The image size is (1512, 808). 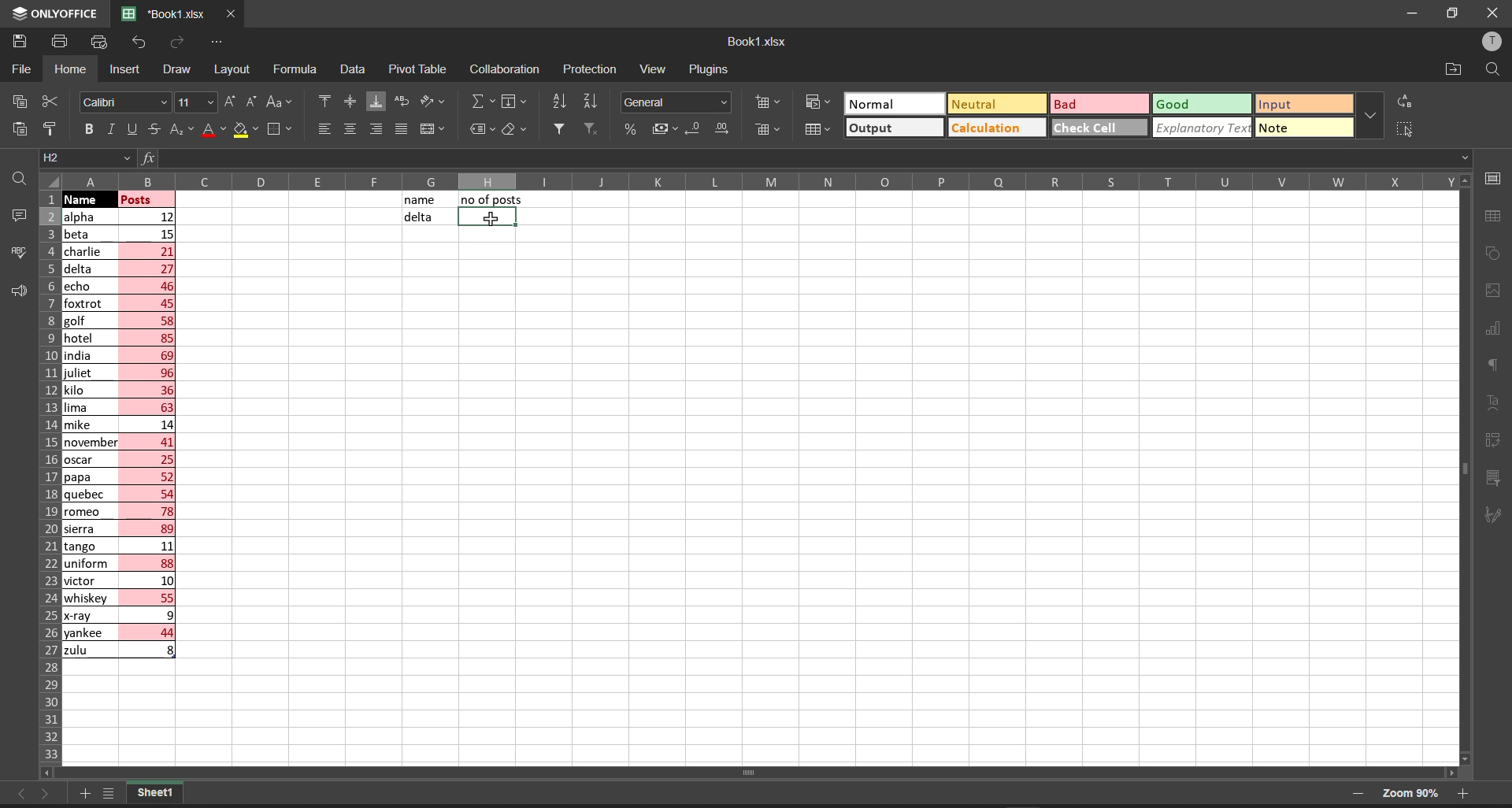 What do you see at coordinates (353, 69) in the screenshot?
I see `data` at bounding box center [353, 69].